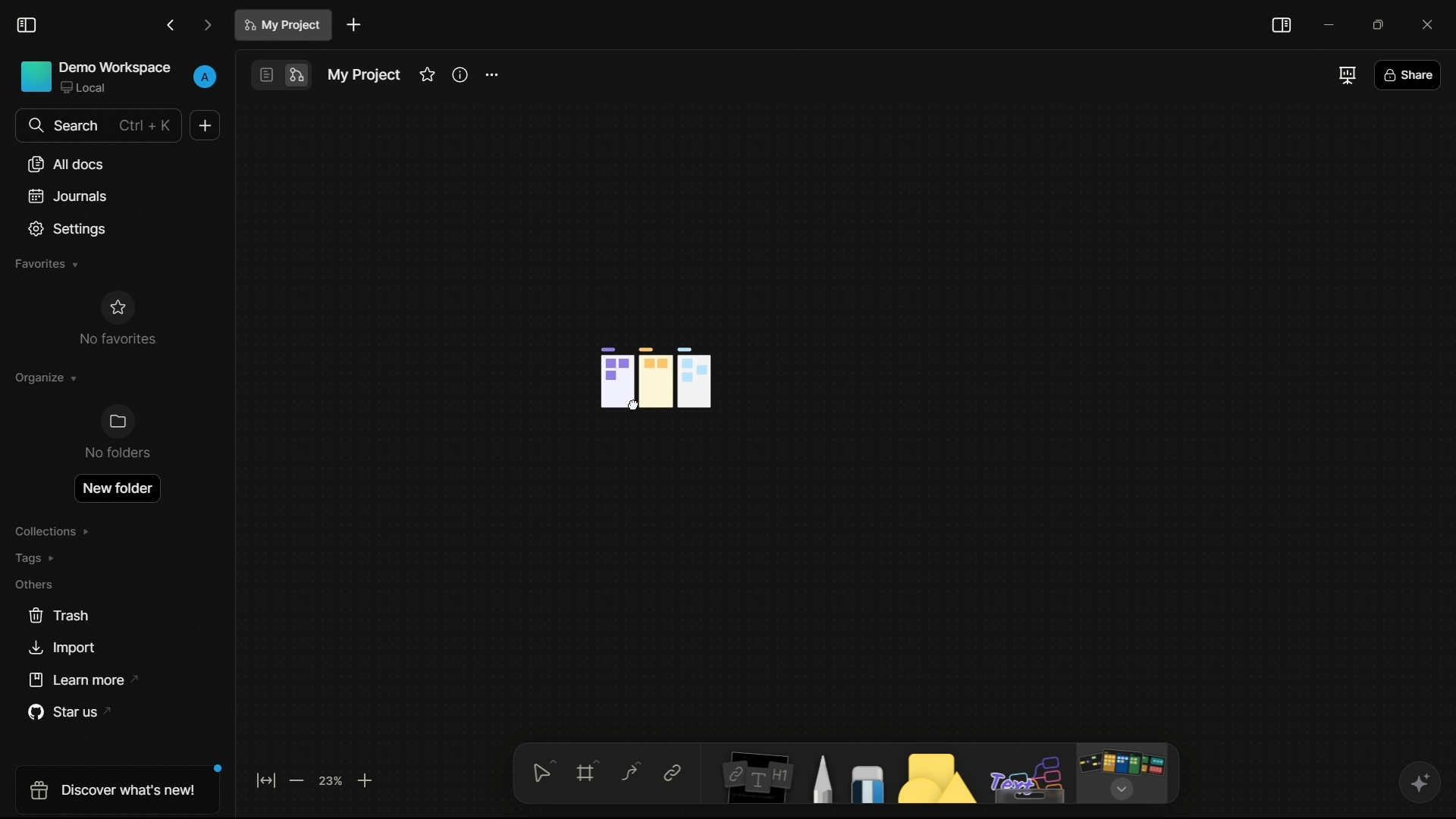  I want to click on edgeless mode, so click(295, 76).